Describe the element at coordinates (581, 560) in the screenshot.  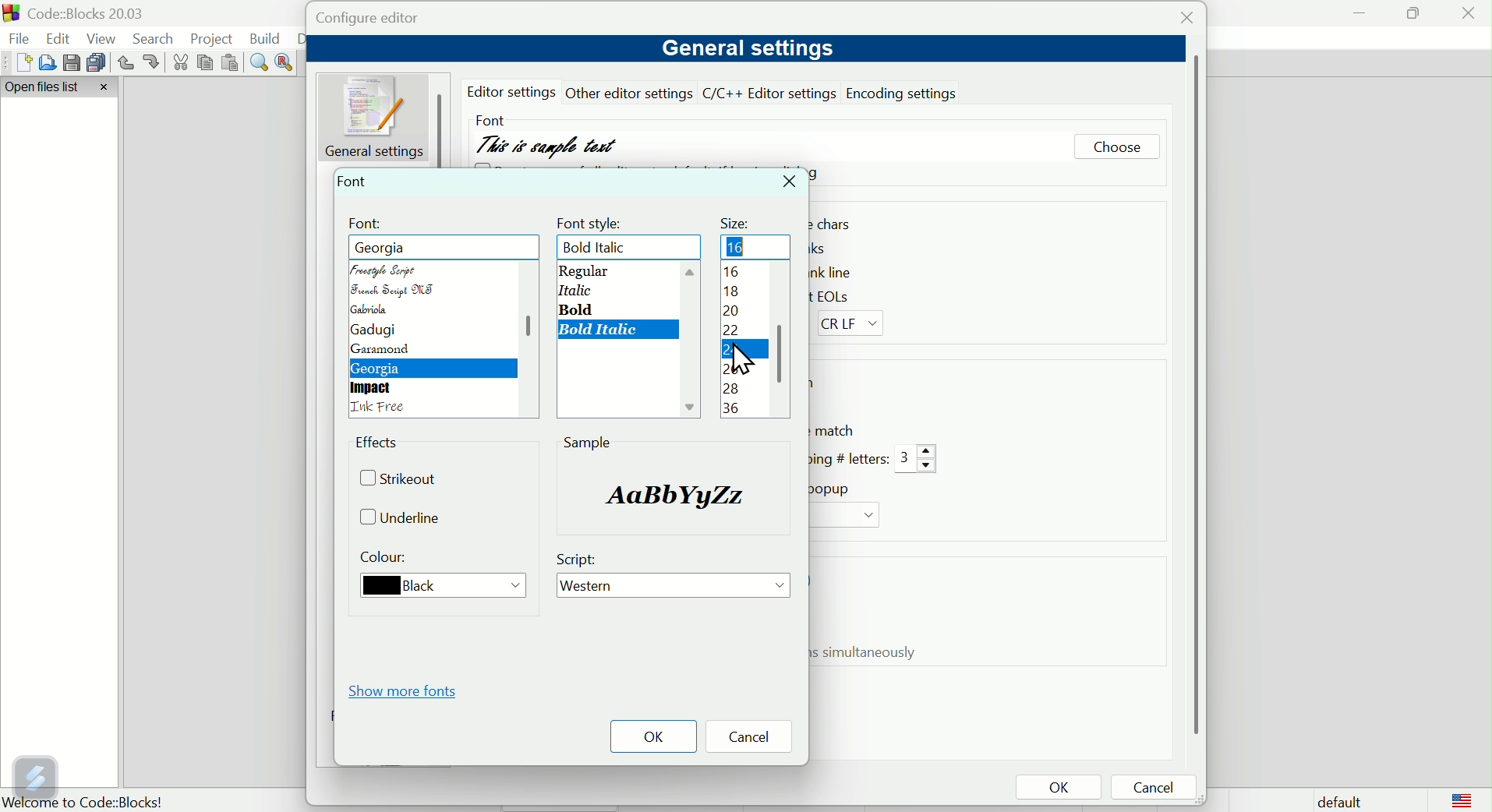
I see `Script` at that location.